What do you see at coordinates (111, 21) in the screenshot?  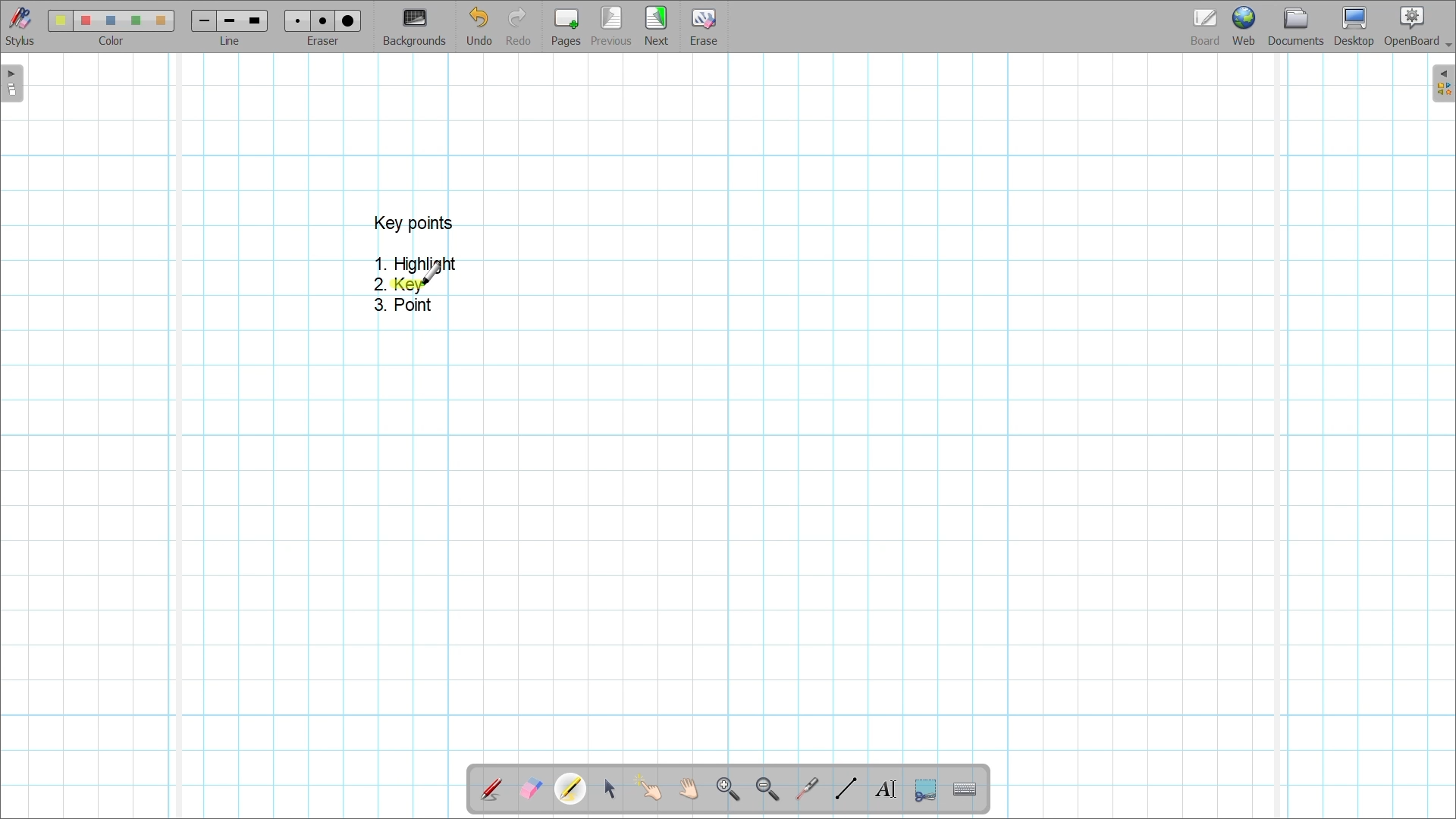 I see `color3` at bounding box center [111, 21].